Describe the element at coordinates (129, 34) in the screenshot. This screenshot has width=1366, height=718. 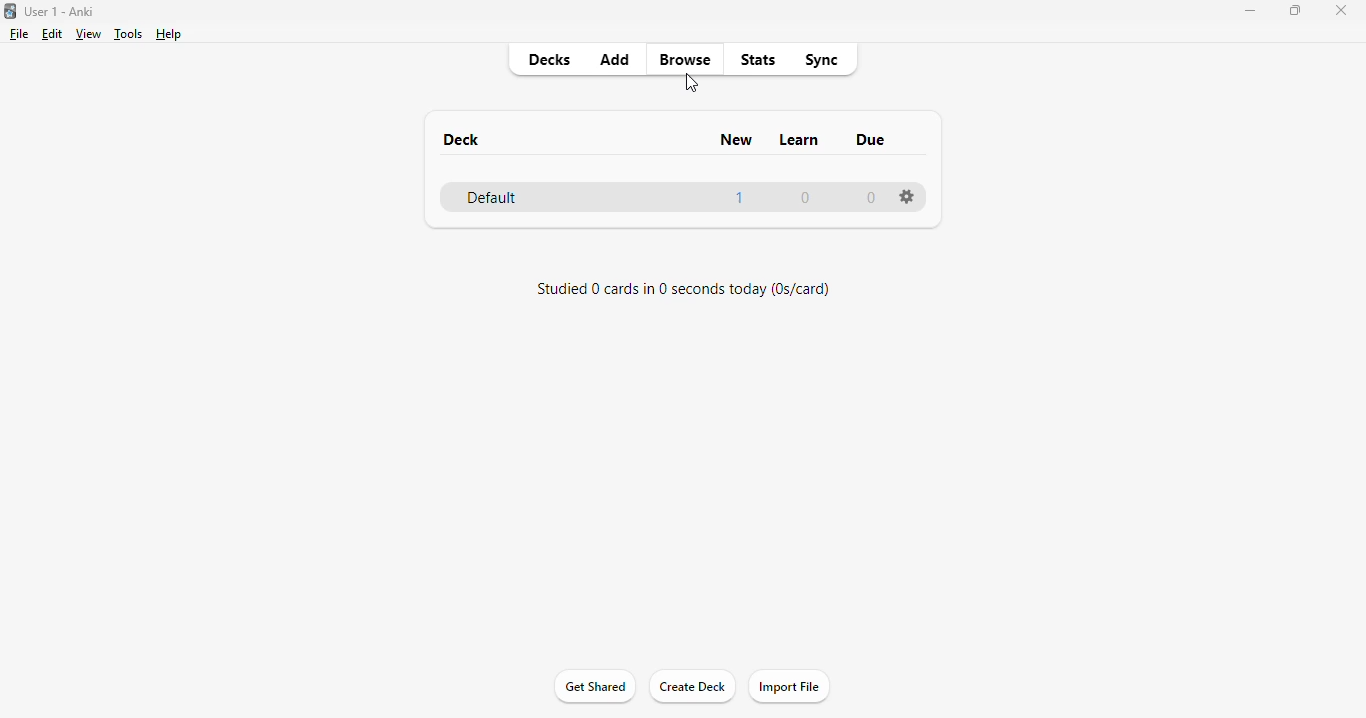
I see `tools` at that location.